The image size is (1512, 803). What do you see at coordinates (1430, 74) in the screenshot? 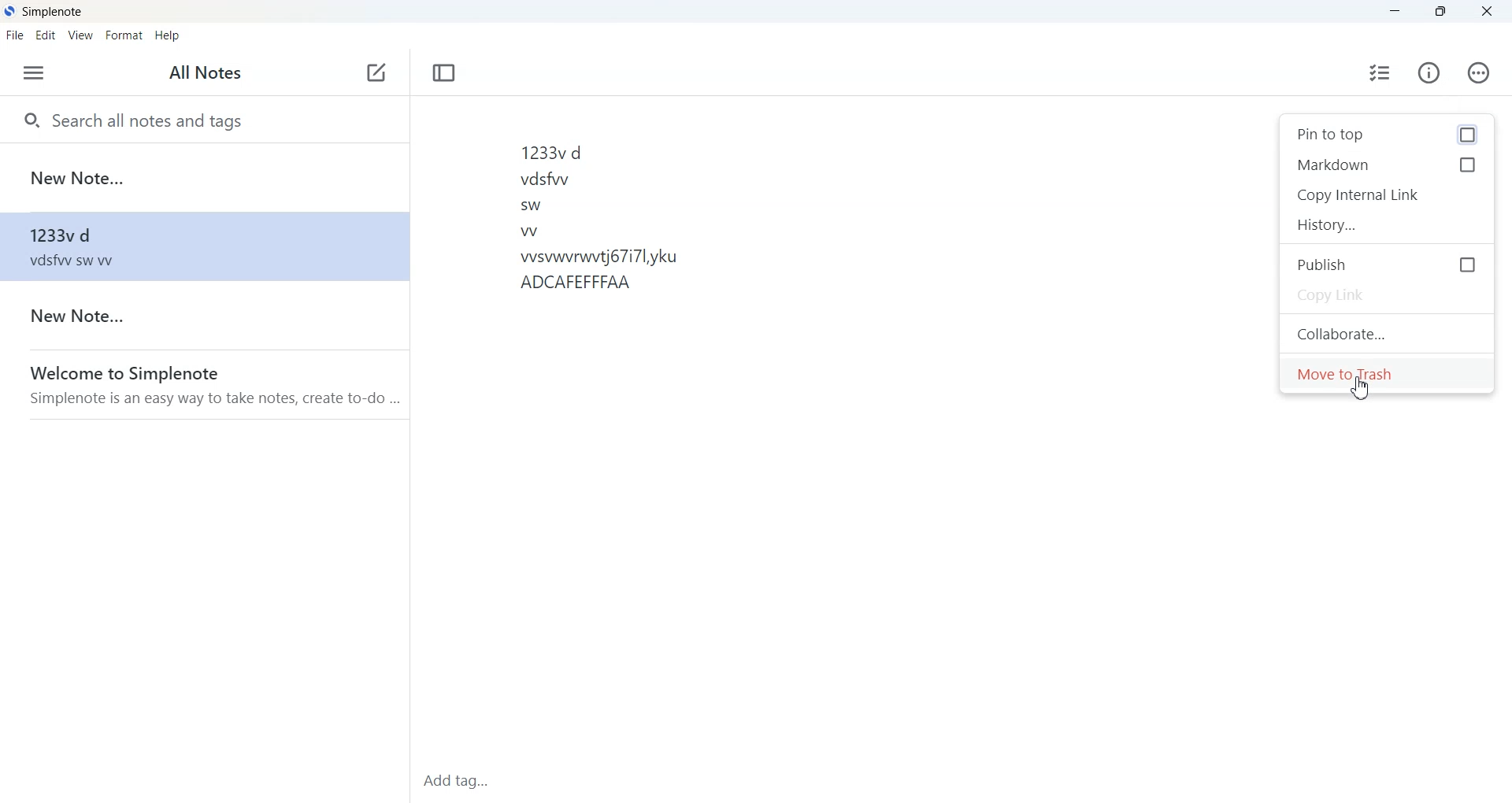
I see `Info` at bounding box center [1430, 74].